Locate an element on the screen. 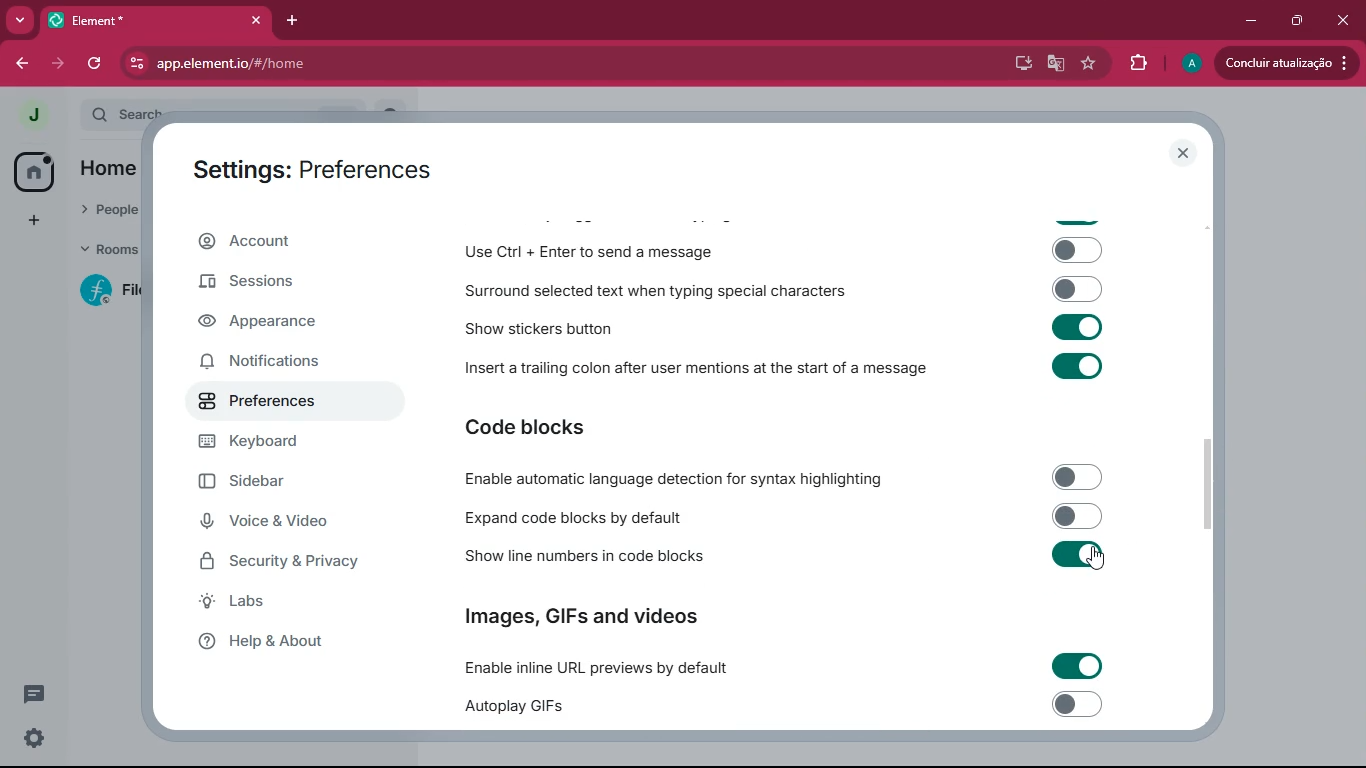 The image size is (1366, 768). cursor  is located at coordinates (1100, 560).